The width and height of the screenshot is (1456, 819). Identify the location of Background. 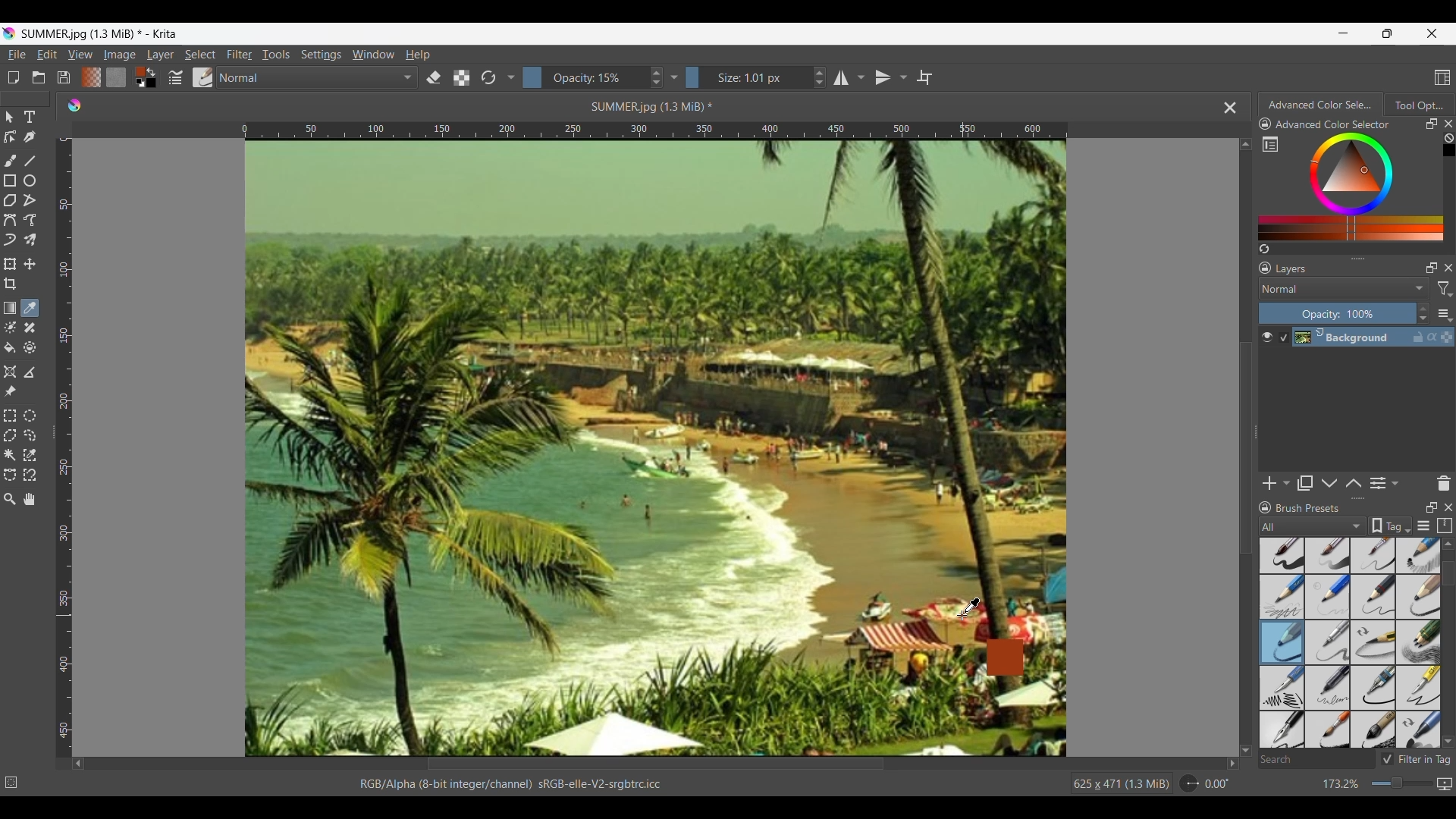
(1366, 337).